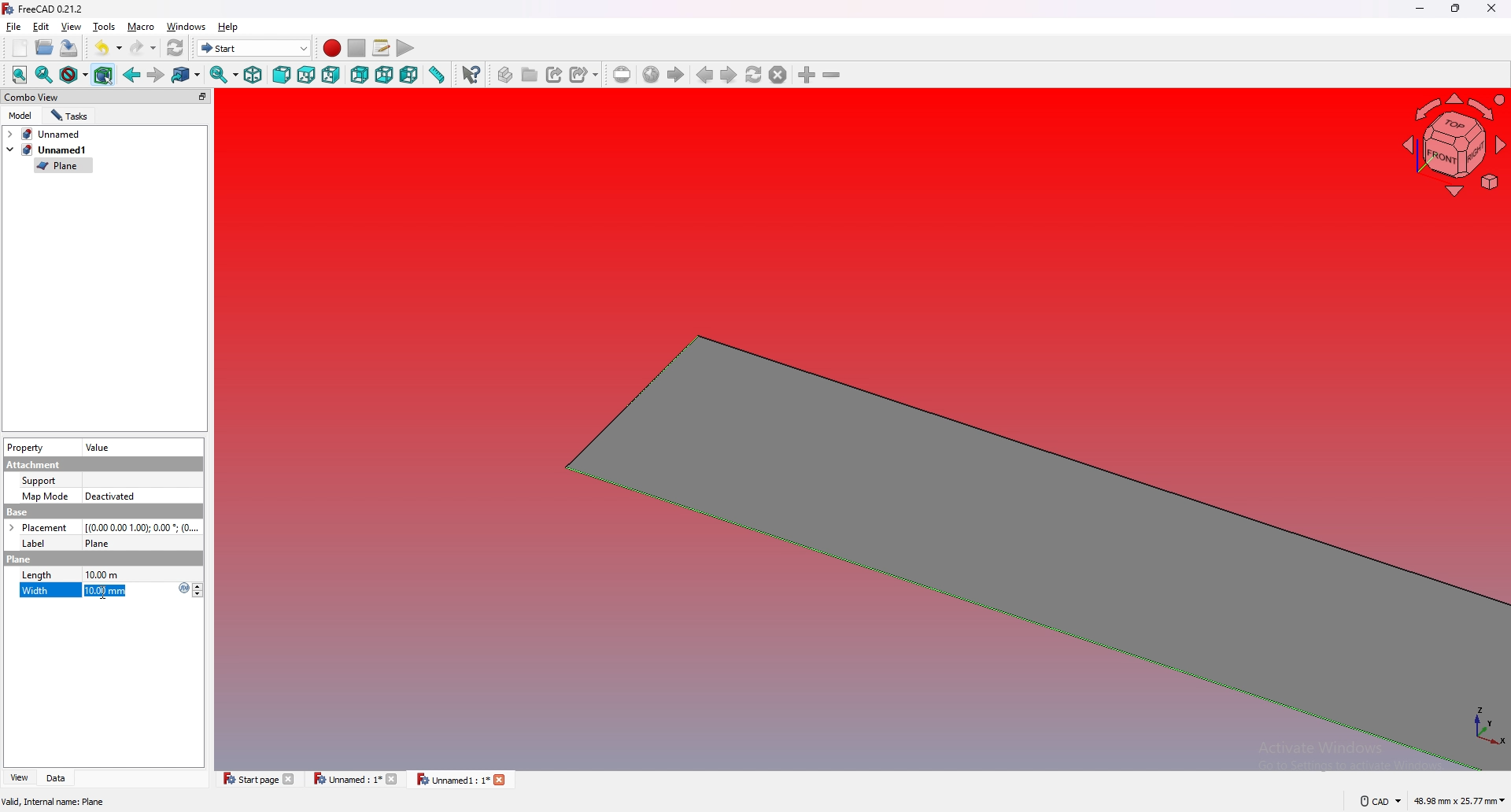  I want to click on whats this, so click(471, 75).